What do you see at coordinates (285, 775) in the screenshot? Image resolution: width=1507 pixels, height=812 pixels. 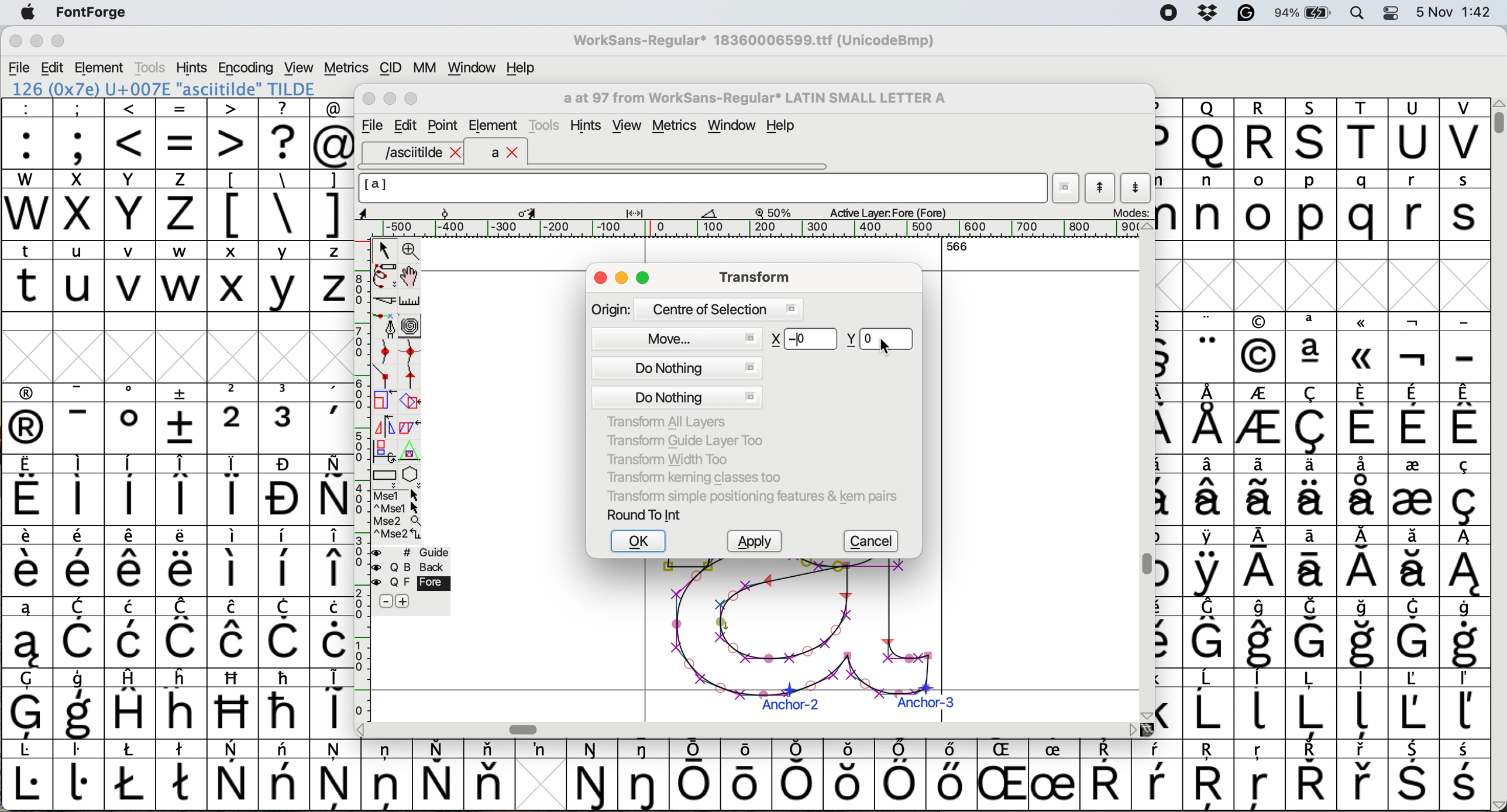 I see `symbol` at bounding box center [285, 775].